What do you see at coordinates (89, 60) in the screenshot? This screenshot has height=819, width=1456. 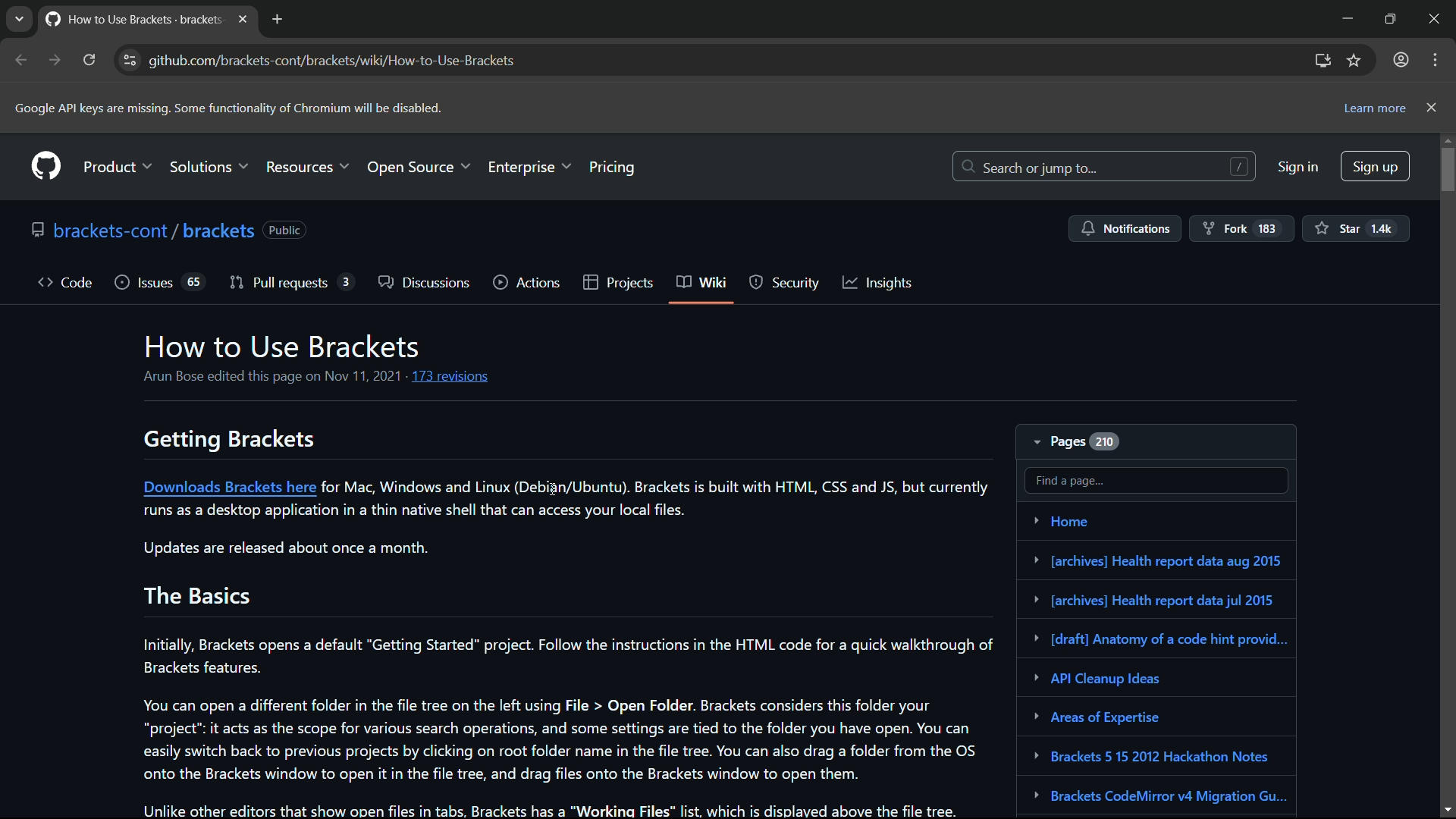 I see `reload` at bounding box center [89, 60].